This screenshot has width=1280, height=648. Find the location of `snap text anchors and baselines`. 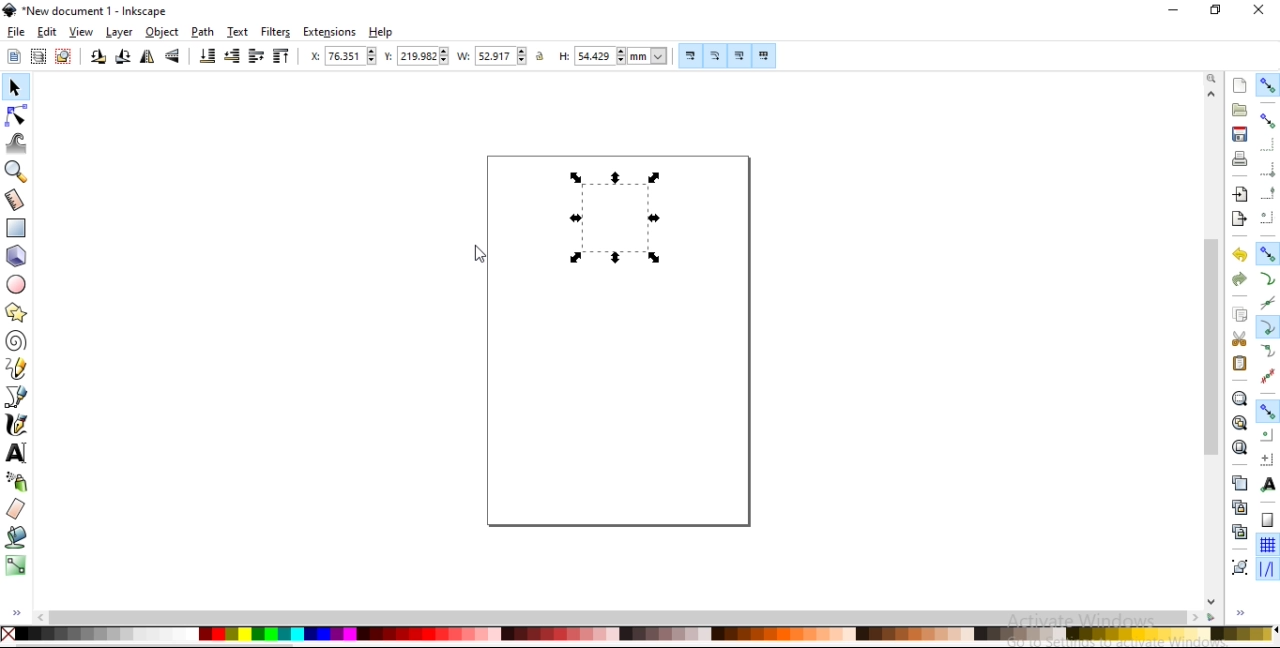

snap text anchors and baselines is located at coordinates (1268, 483).